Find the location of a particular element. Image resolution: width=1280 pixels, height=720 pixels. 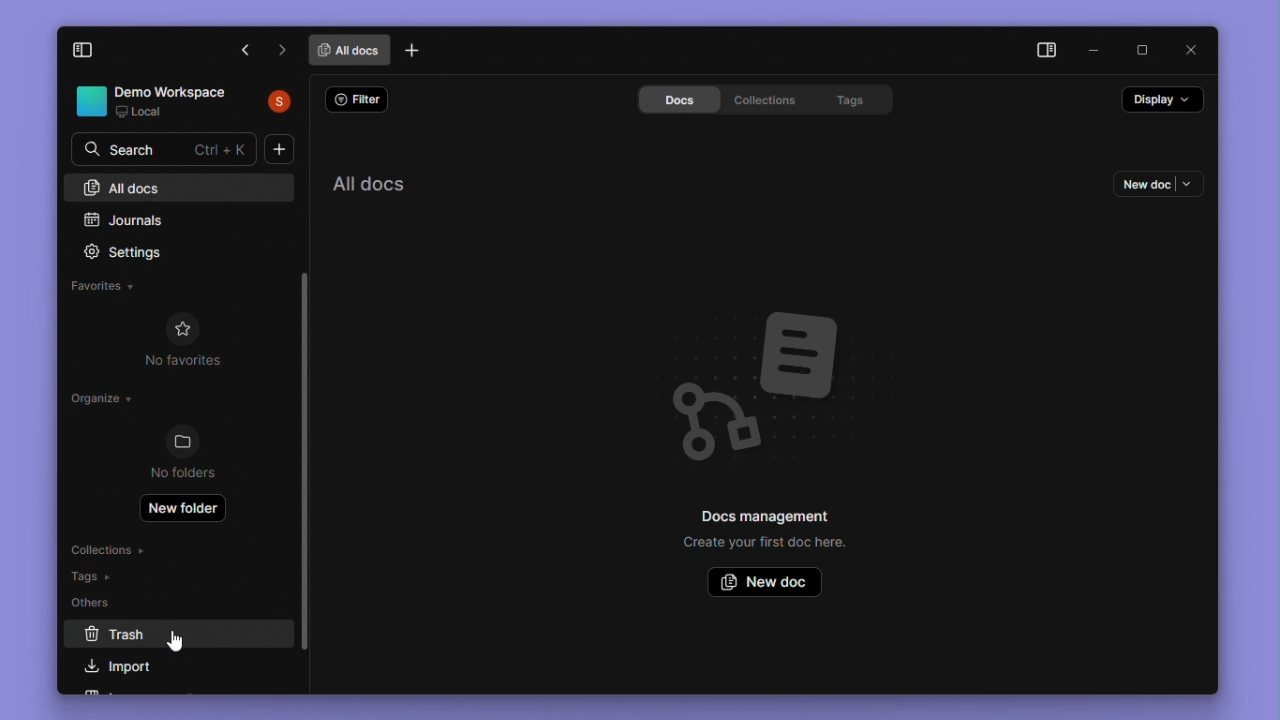

Vertical scroll Bar  is located at coordinates (304, 463).